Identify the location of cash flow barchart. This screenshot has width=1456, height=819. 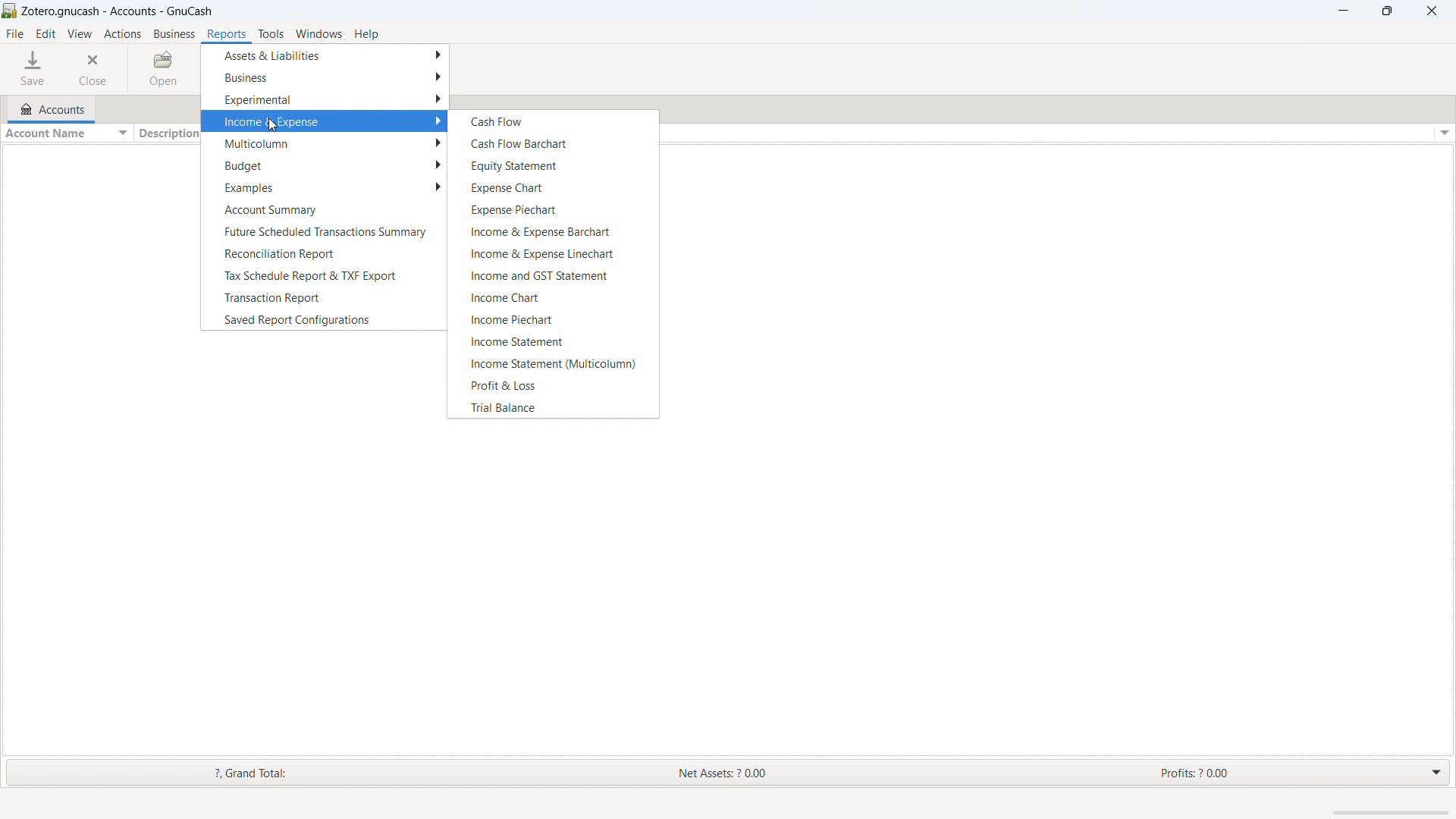
(554, 142).